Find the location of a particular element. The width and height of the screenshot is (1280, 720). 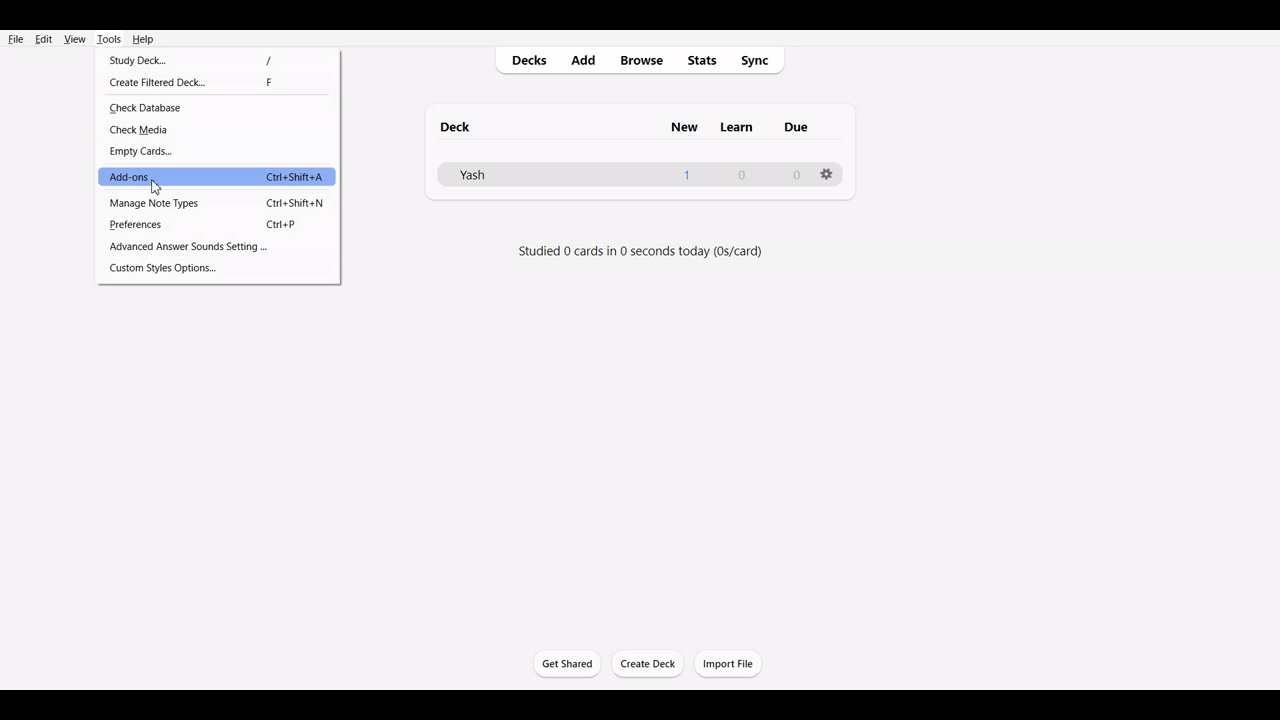

Created Filtered Deck is located at coordinates (217, 82).